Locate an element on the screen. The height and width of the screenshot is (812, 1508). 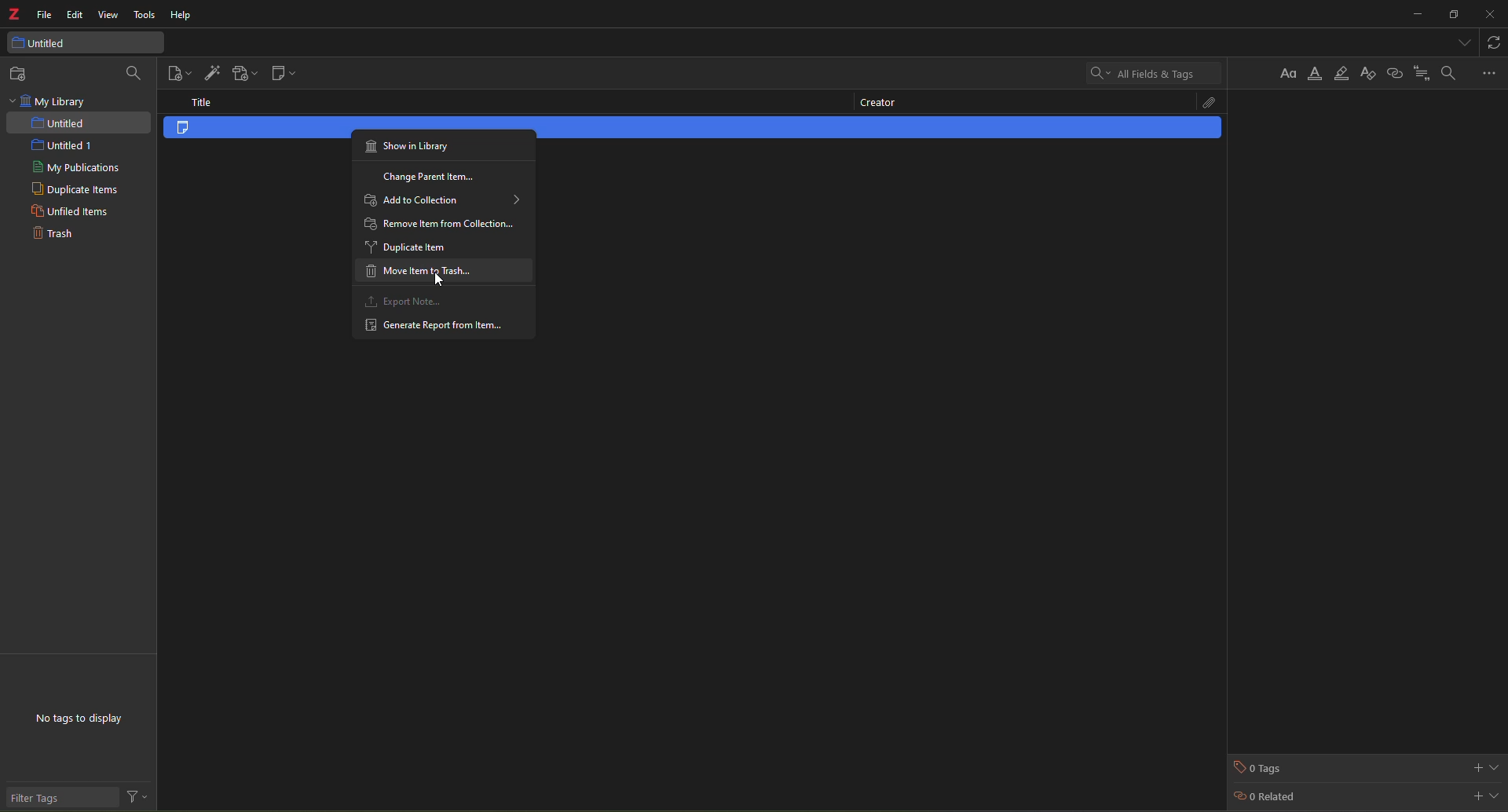
search is located at coordinates (1151, 73).